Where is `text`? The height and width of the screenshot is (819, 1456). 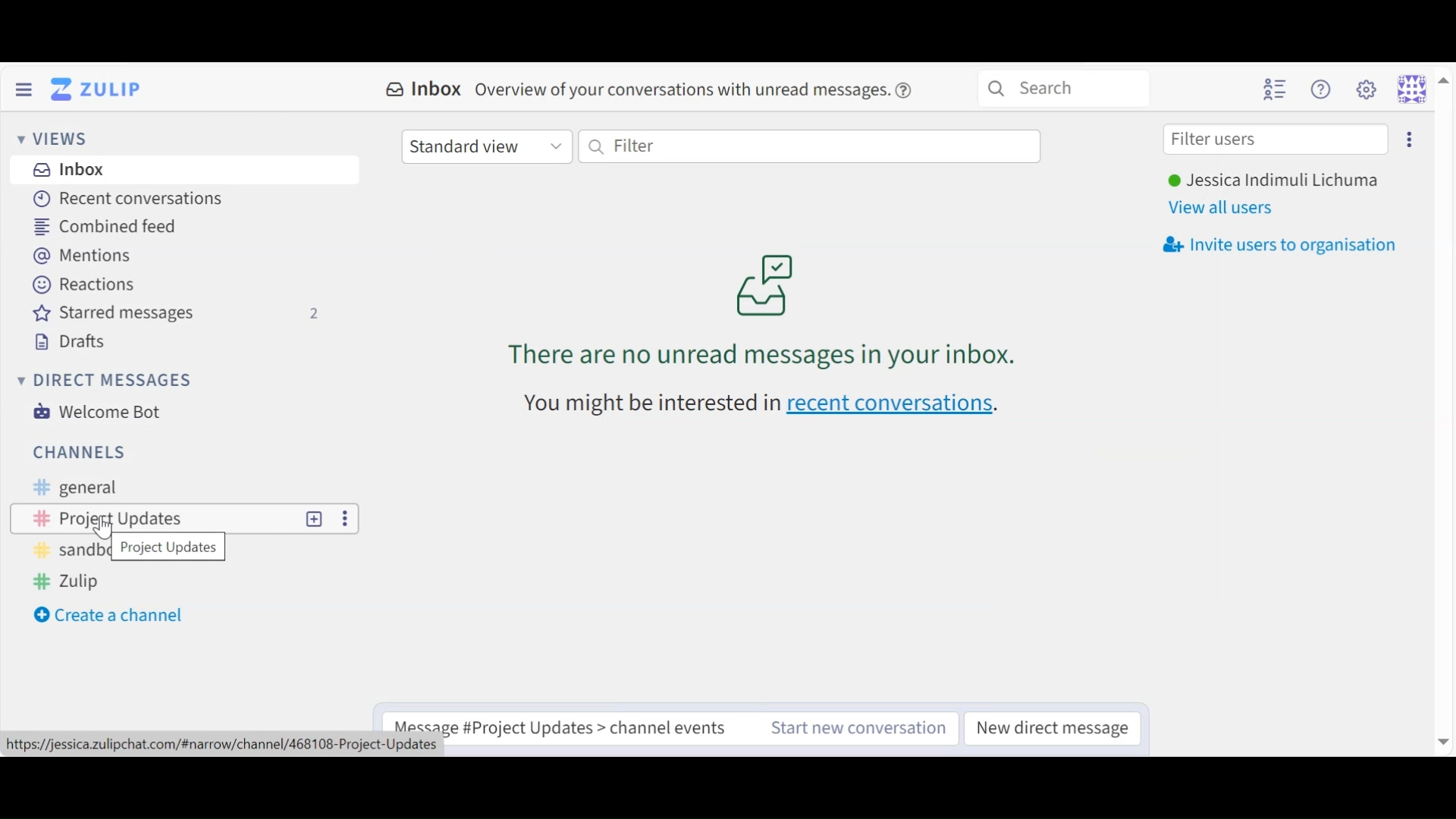
text is located at coordinates (649, 404).